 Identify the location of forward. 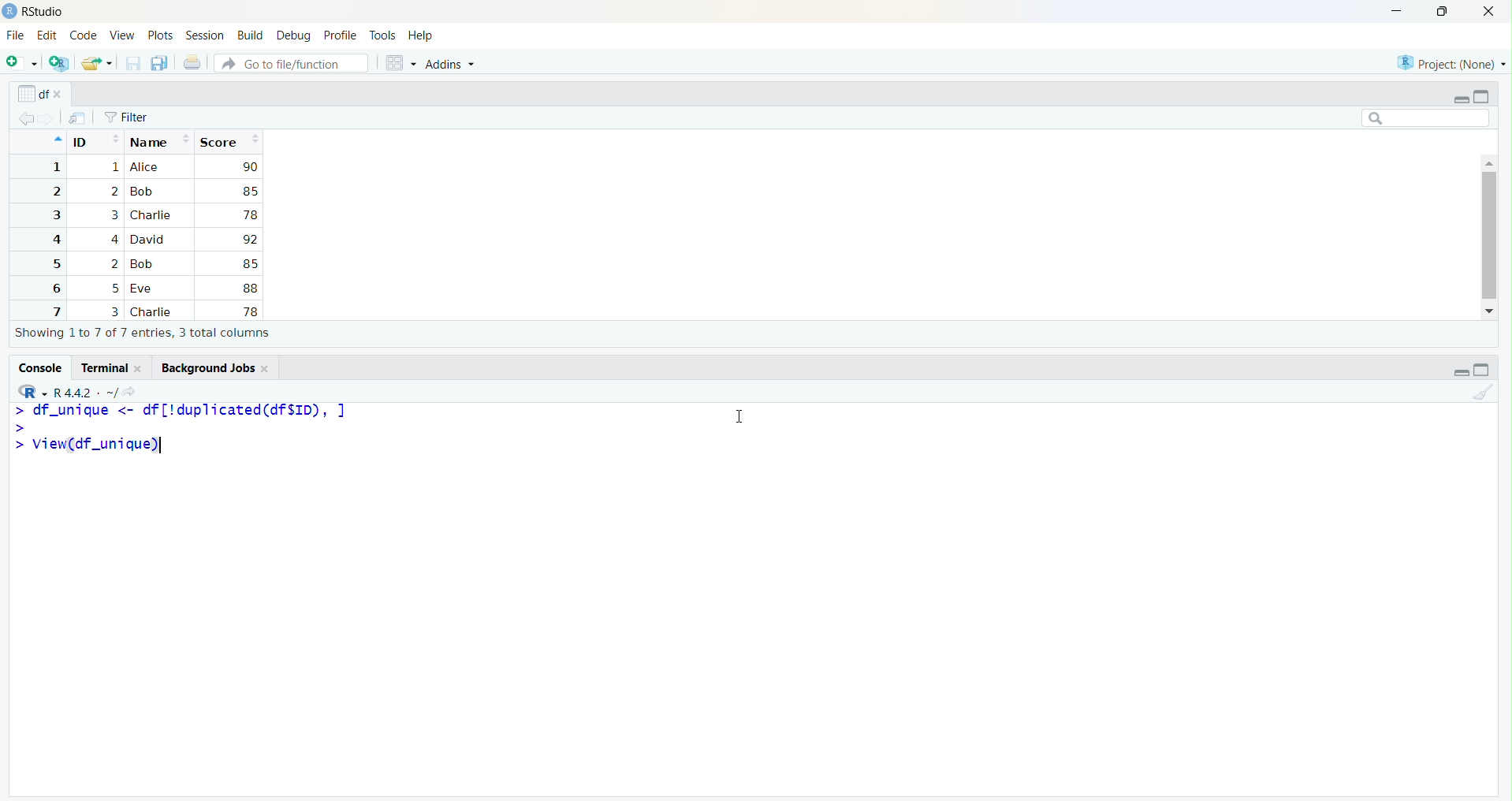
(49, 119).